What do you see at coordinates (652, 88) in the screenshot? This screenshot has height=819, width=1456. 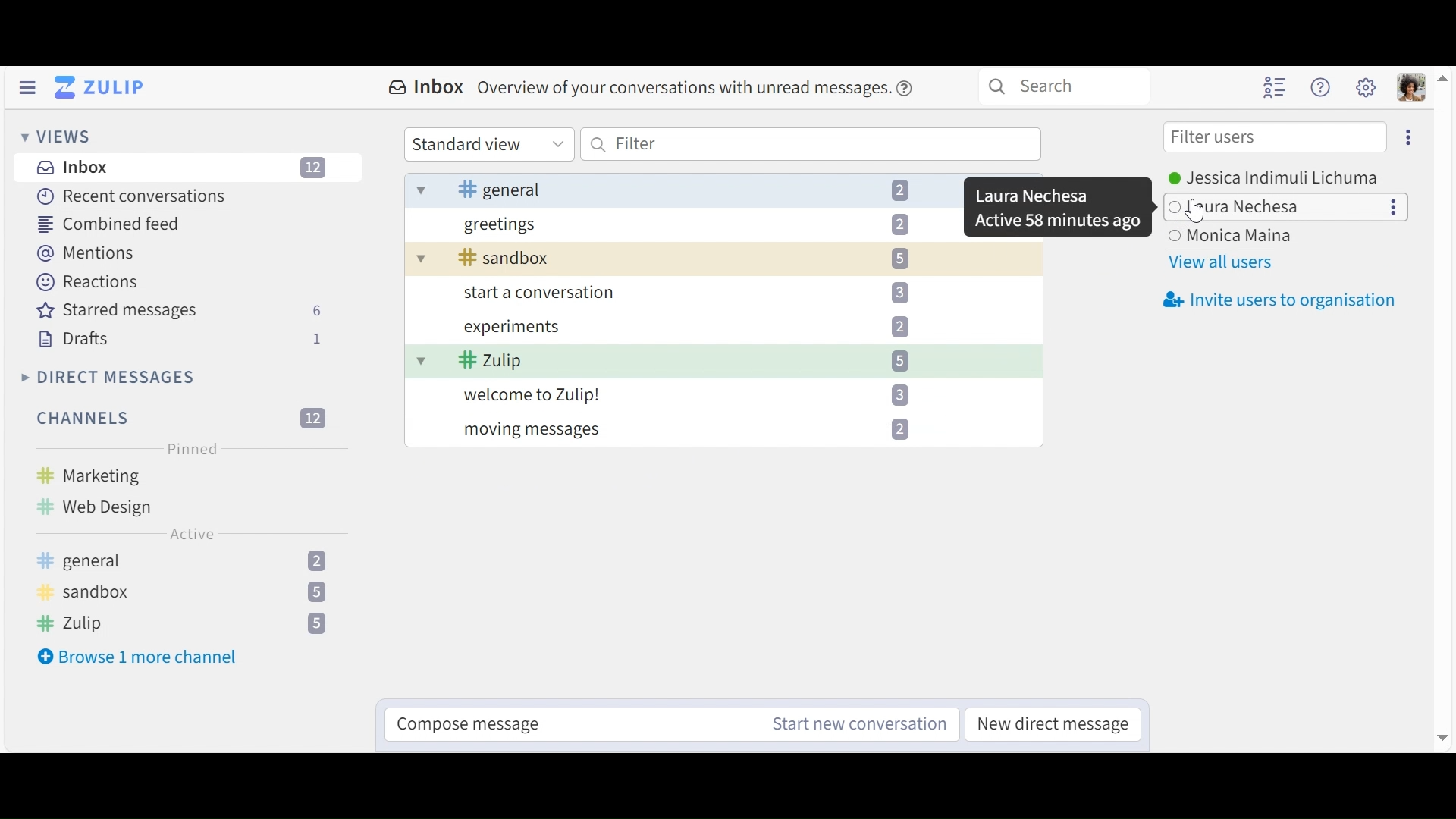 I see `Inbox` at bounding box center [652, 88].